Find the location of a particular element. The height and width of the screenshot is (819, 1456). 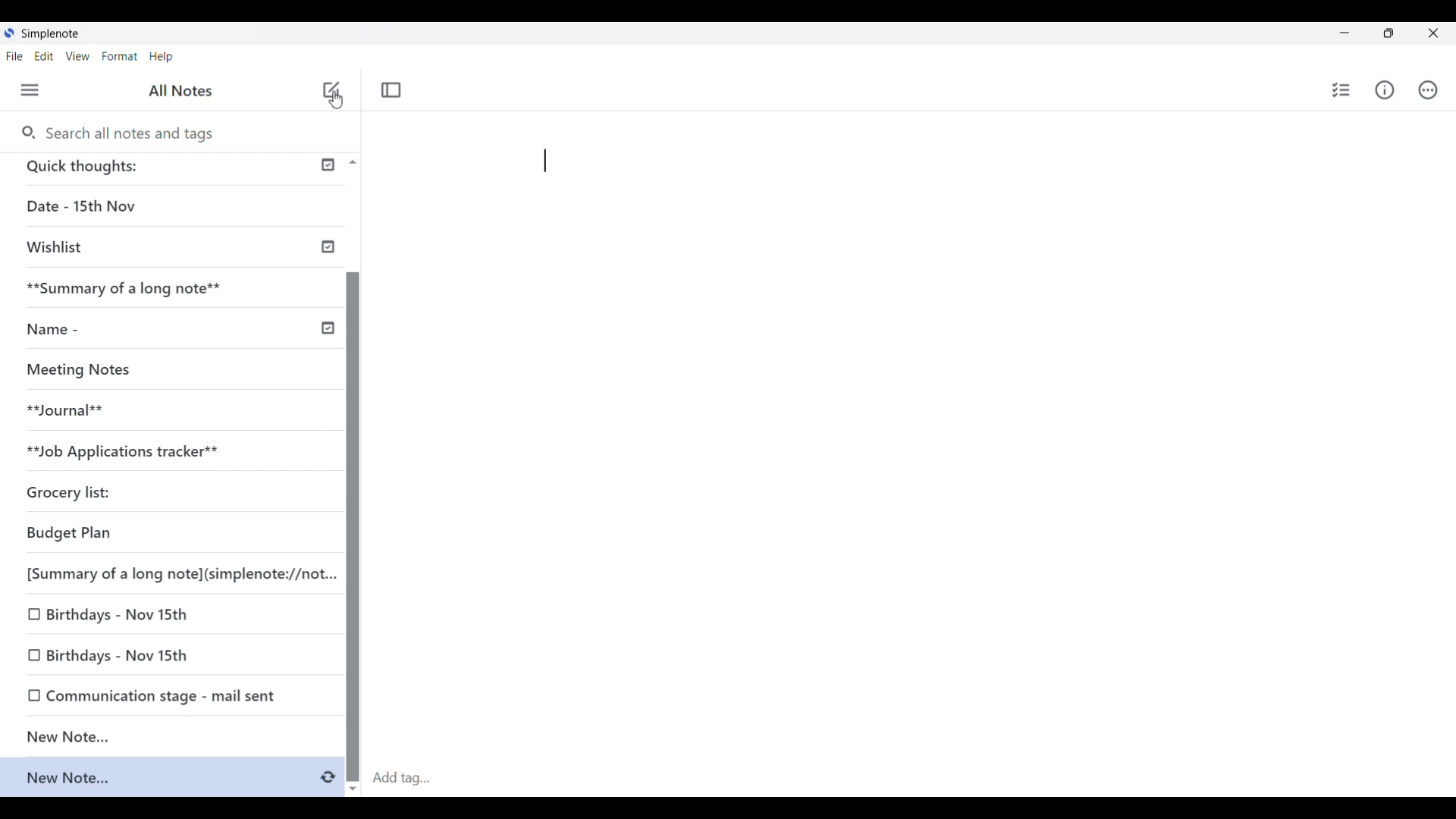

Indicates saving is located at coordinates (328, 777).